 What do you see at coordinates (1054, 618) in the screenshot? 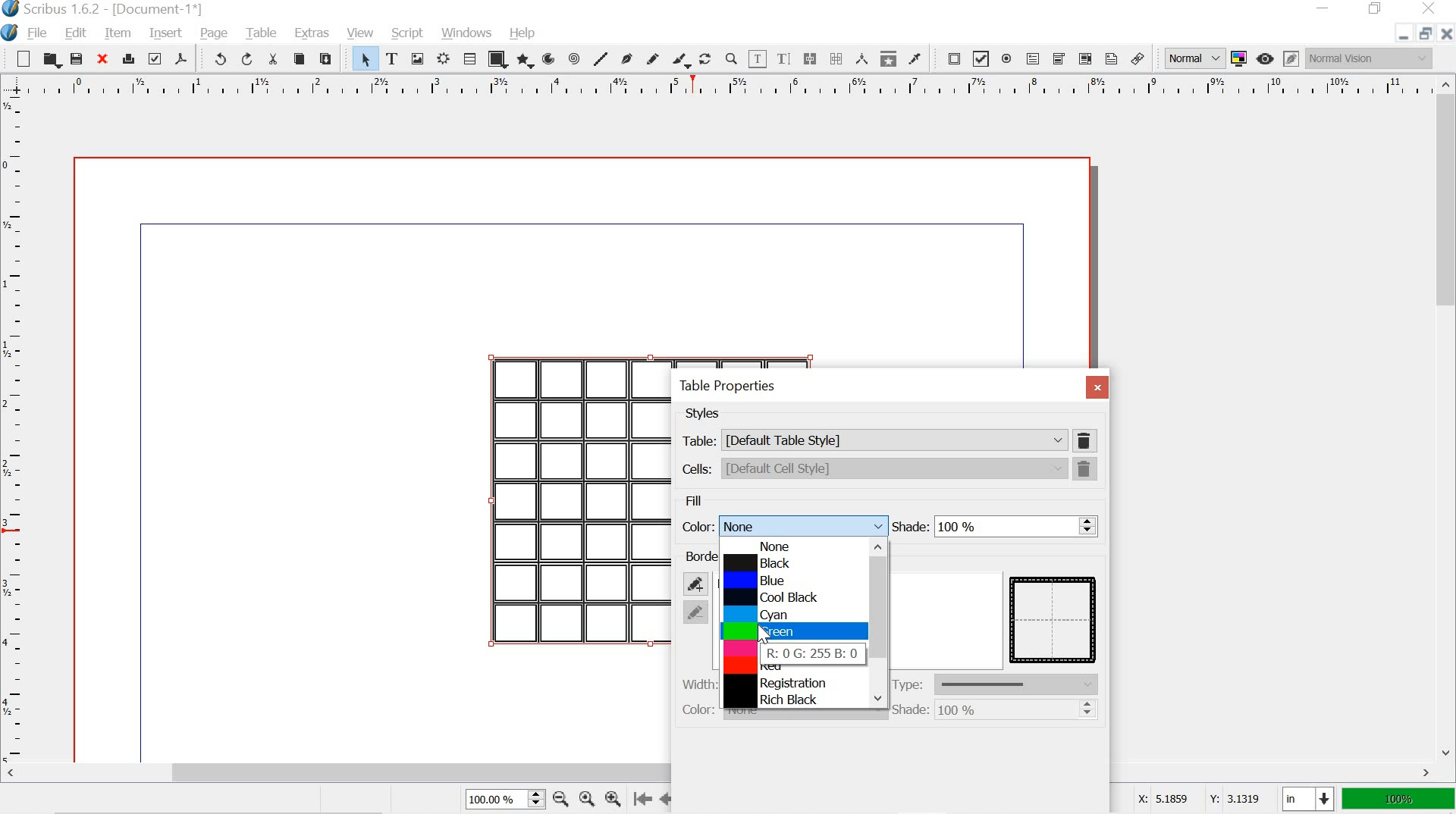
I see `table` at bounding box center [1054, 618].